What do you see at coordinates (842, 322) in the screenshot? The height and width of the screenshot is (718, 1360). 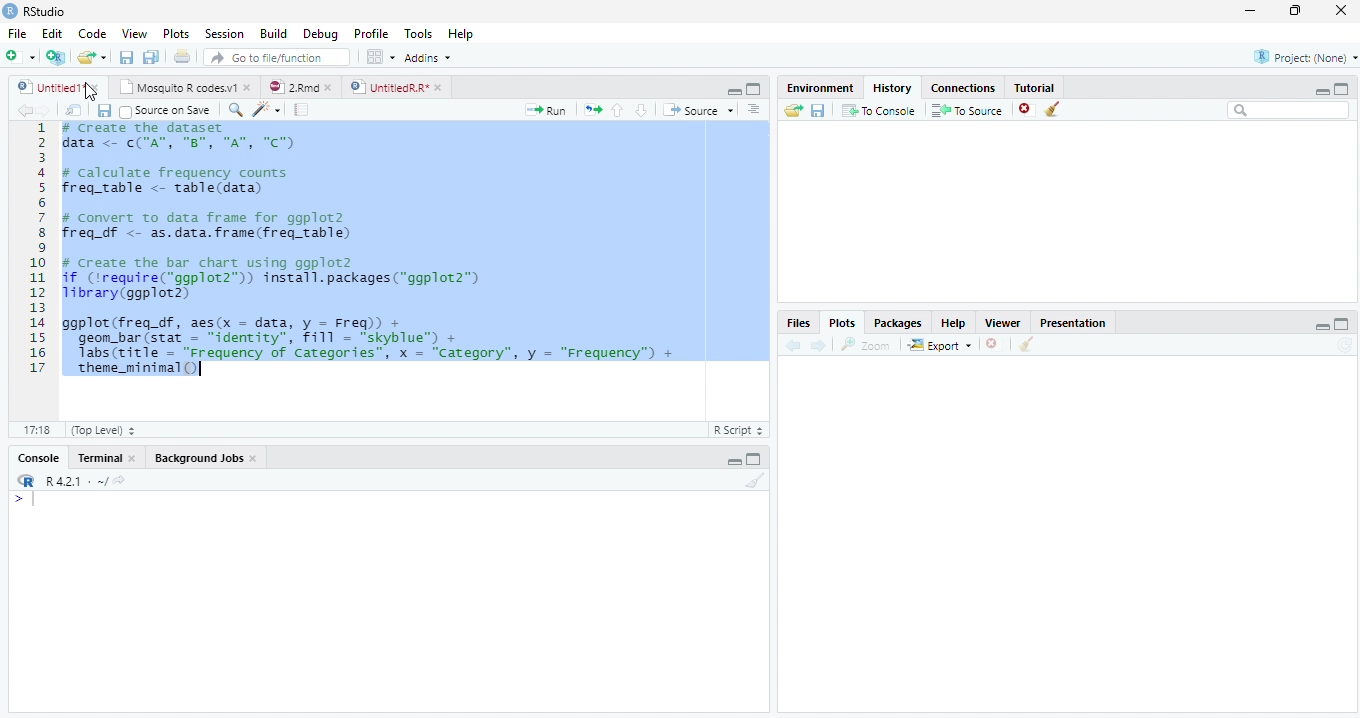 I see `Plots` at bounding box center [842, 322].